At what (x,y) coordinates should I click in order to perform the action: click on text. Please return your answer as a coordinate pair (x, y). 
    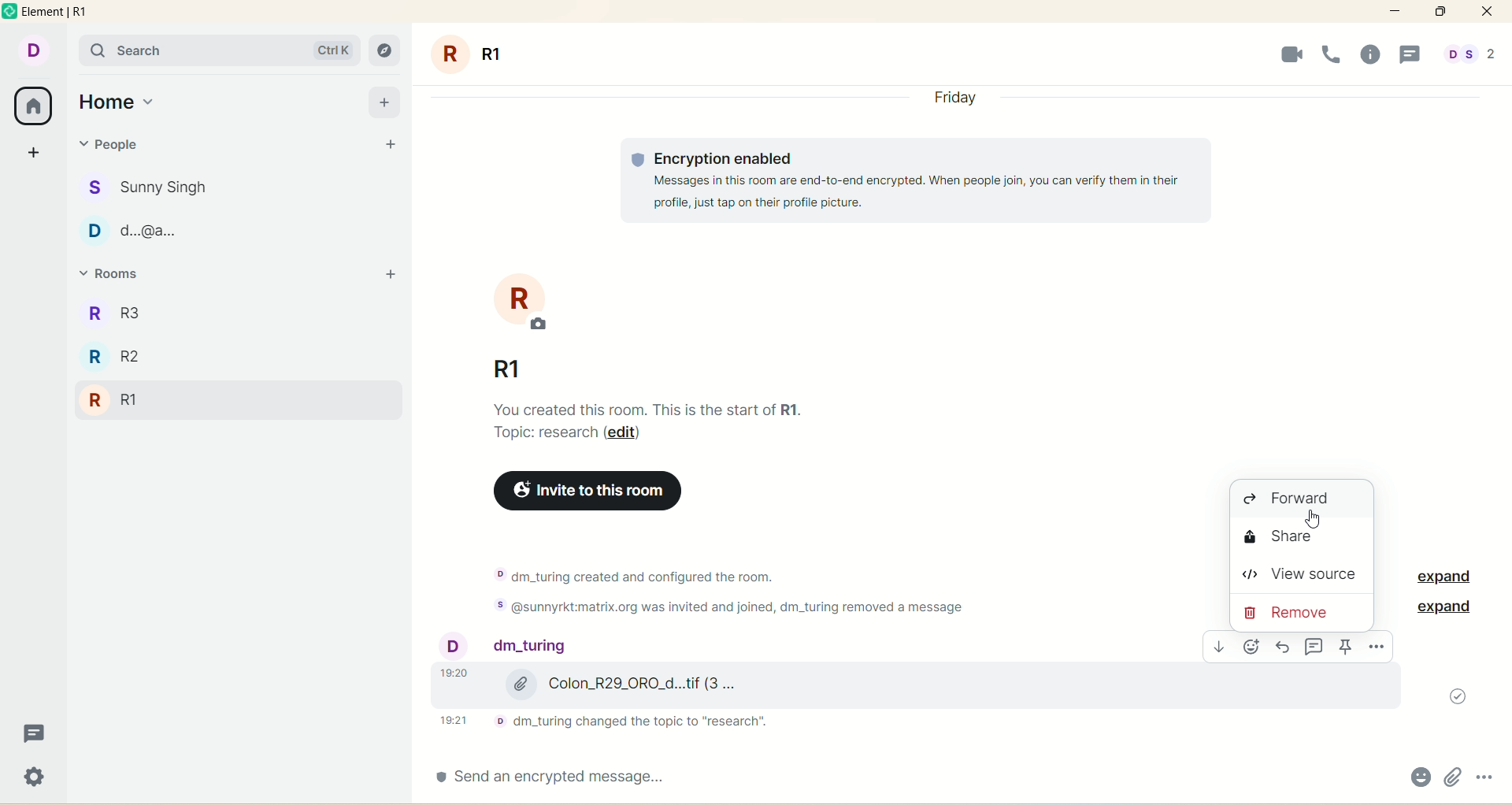
    Looking at the image, I should click on (650, 418).